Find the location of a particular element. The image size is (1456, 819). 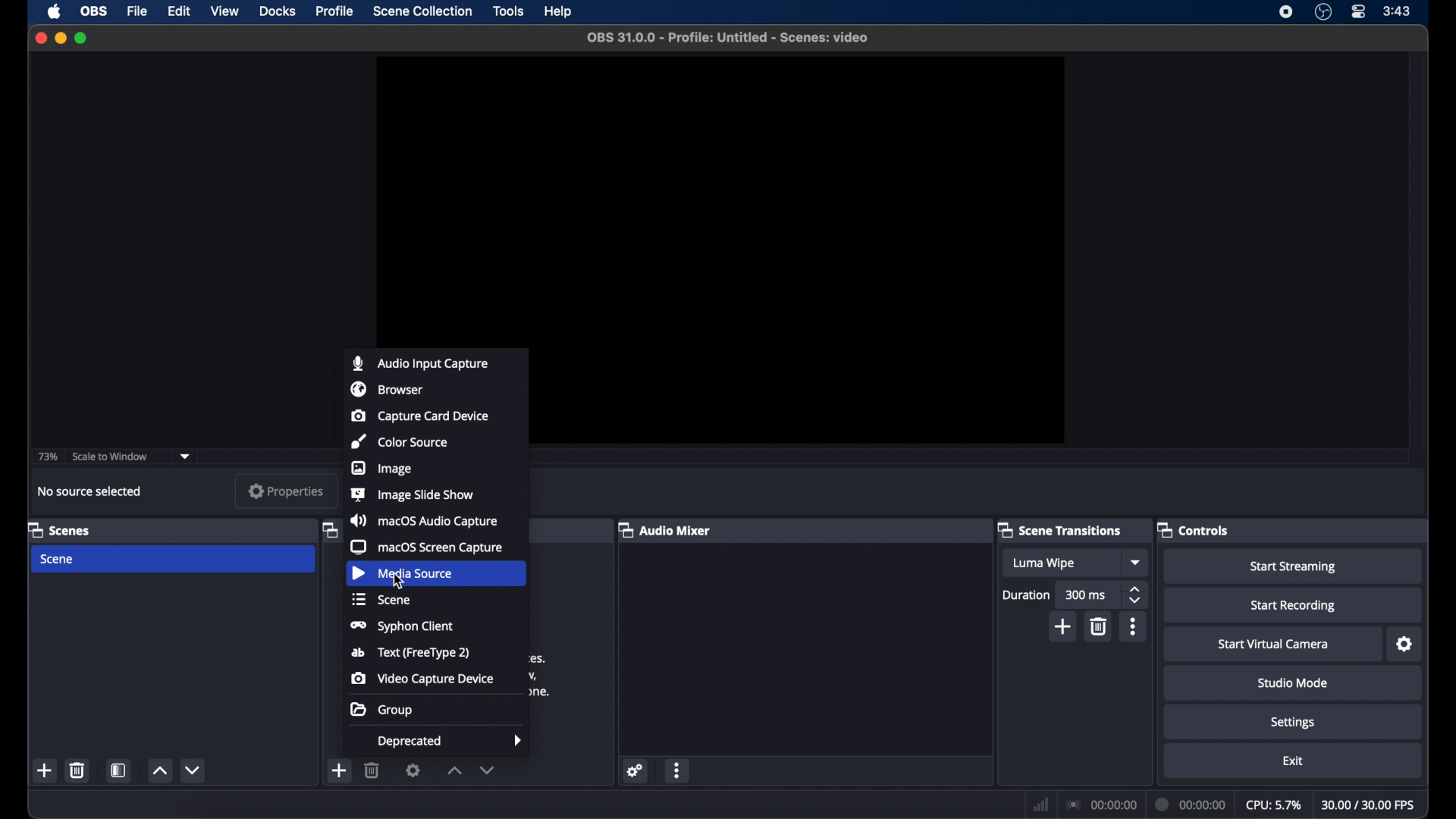

00:00:00 is located at coordinates (1191, 805).